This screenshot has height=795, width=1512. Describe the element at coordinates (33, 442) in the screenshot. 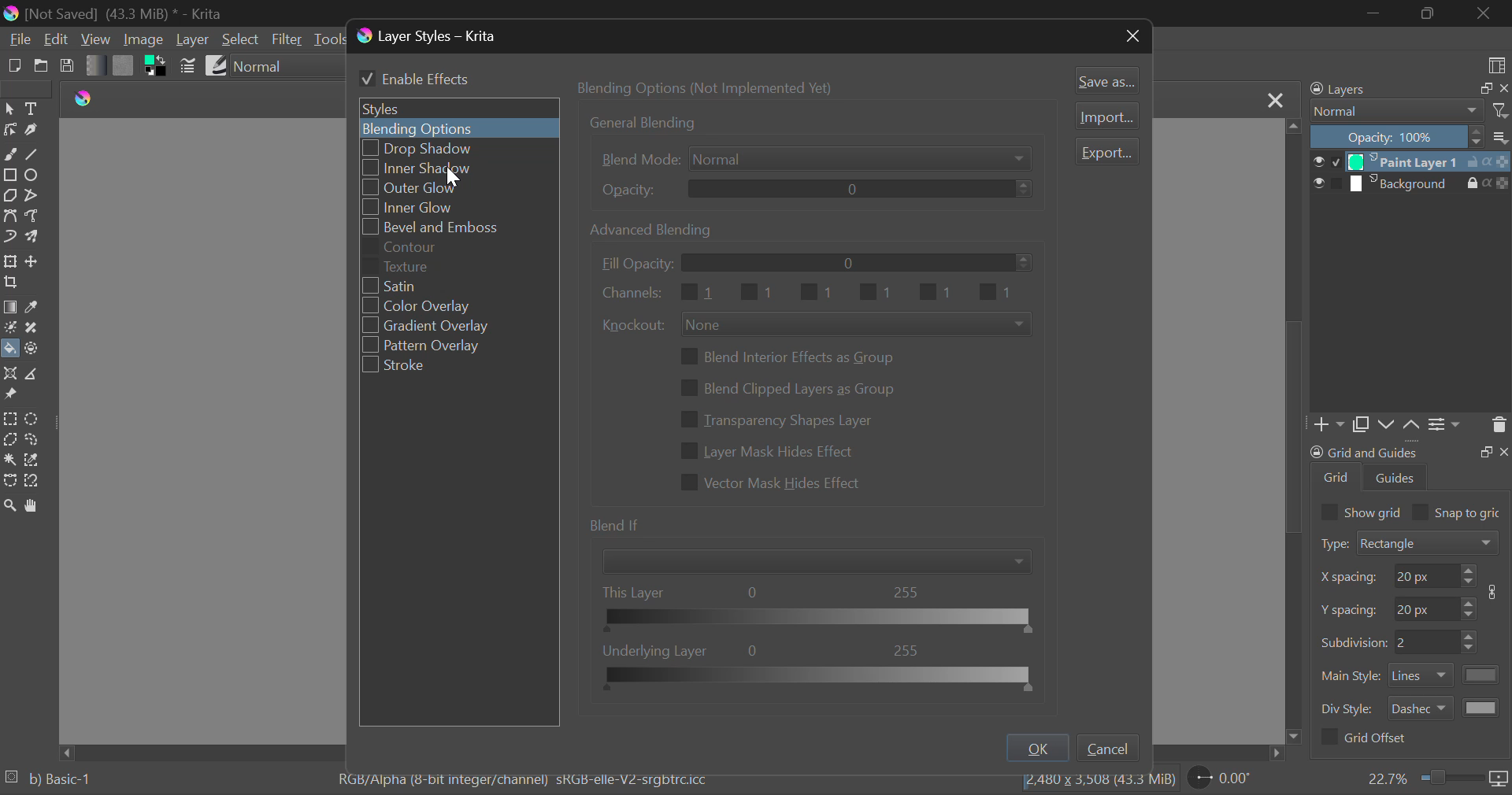

I see `Freehand Selection` at that location.